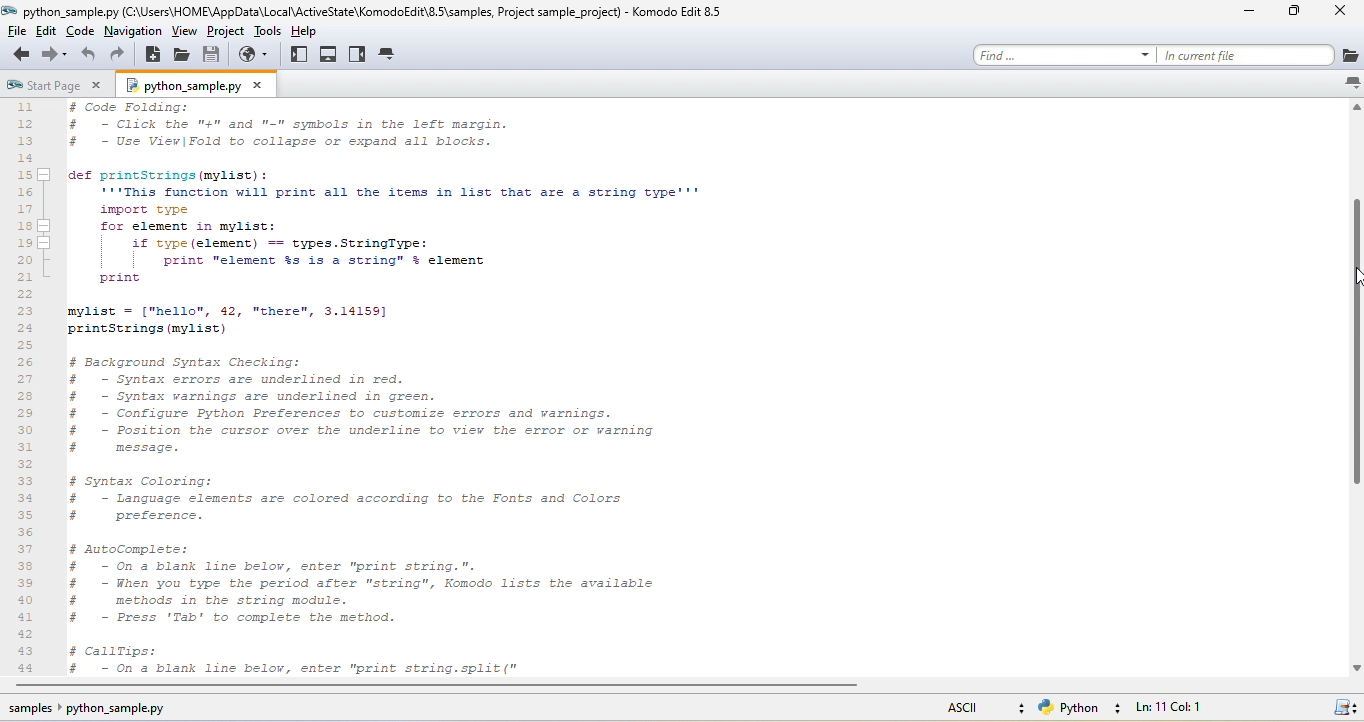  I want to click on right pane, so click(357, 54).